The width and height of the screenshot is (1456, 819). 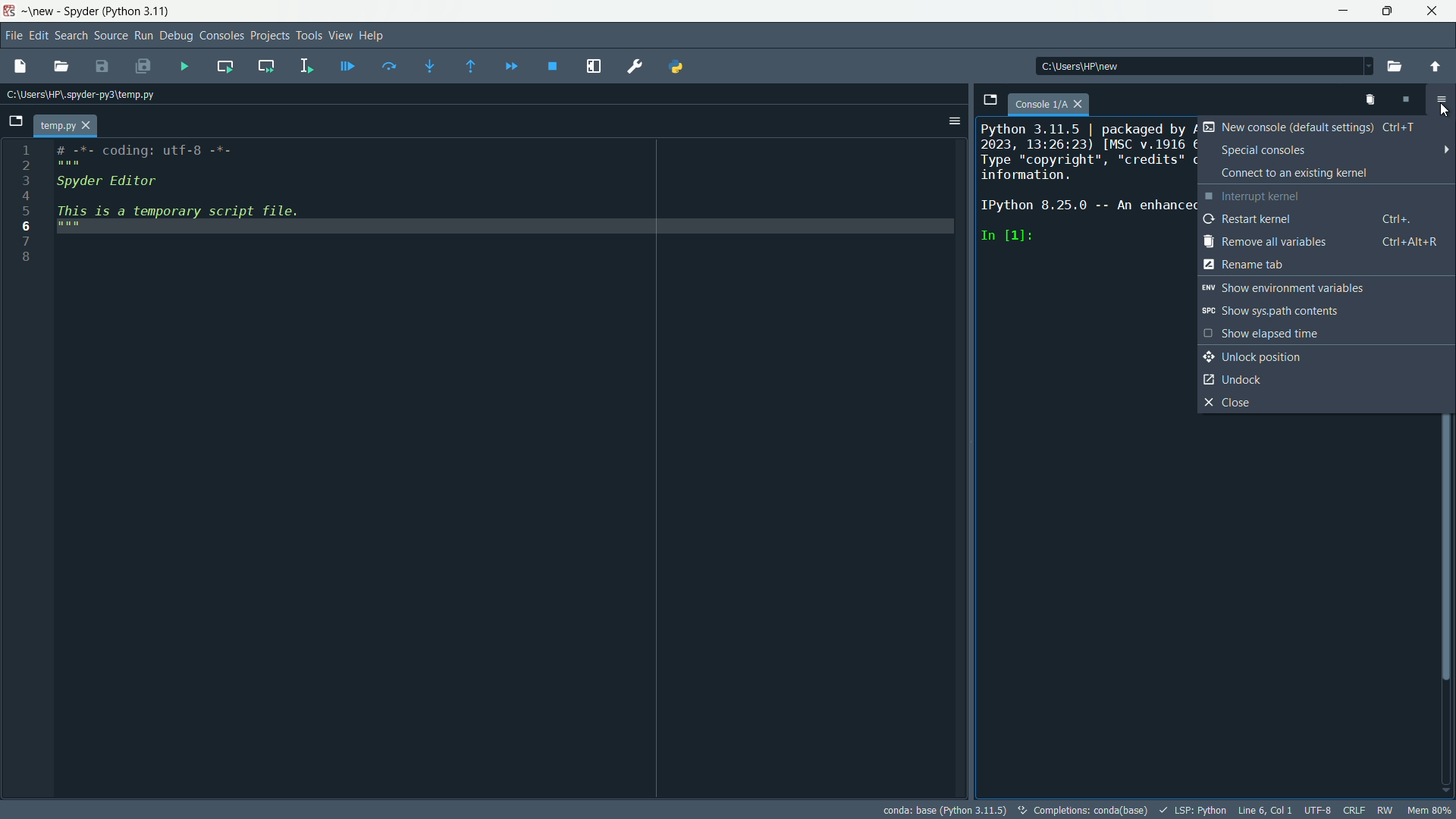 I want to click on edit menu, so click(x=38, y=34).